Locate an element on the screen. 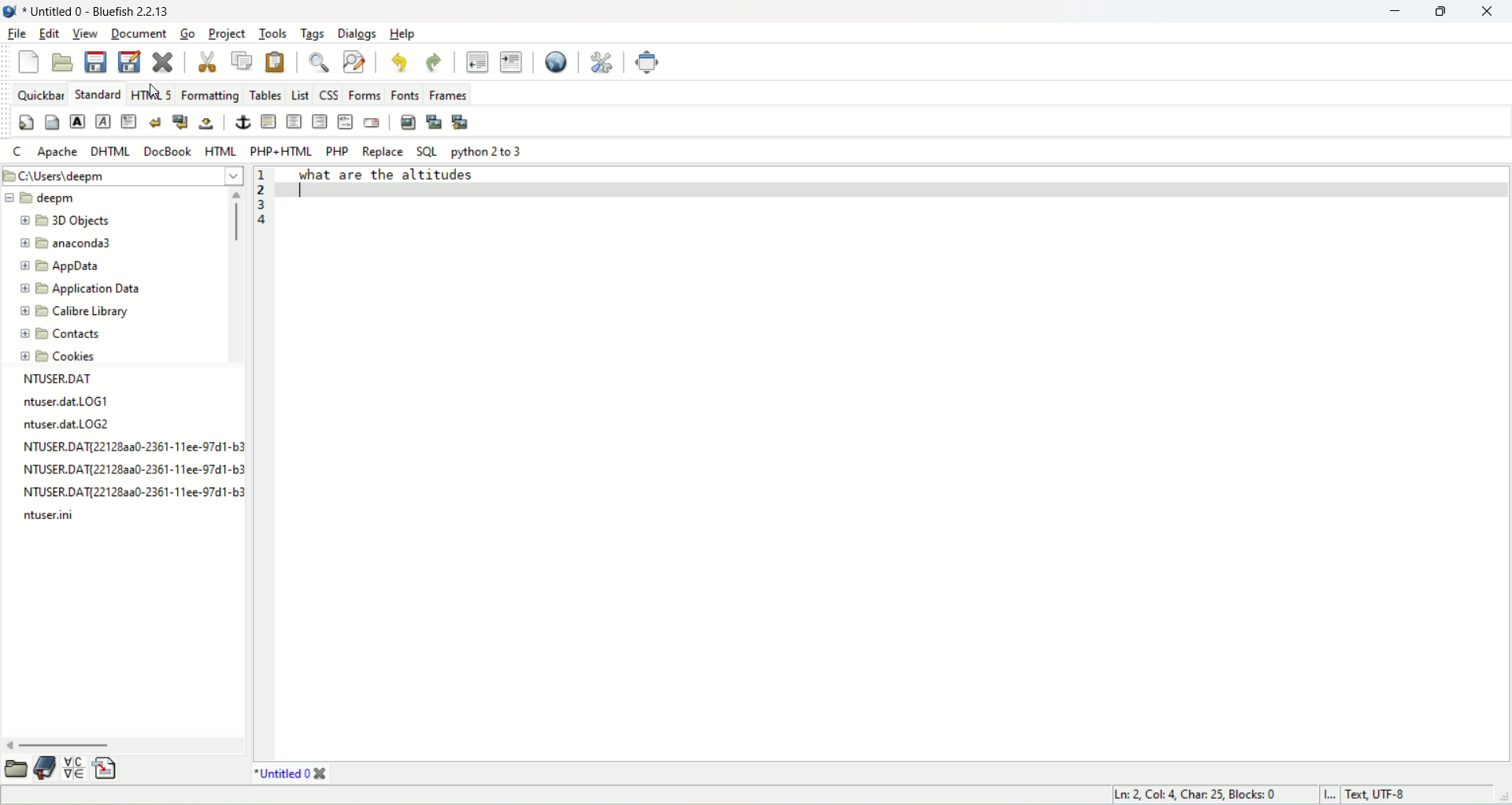 This screenshot has height=805, width=1512. formatting is located at coordinates (212, 95).